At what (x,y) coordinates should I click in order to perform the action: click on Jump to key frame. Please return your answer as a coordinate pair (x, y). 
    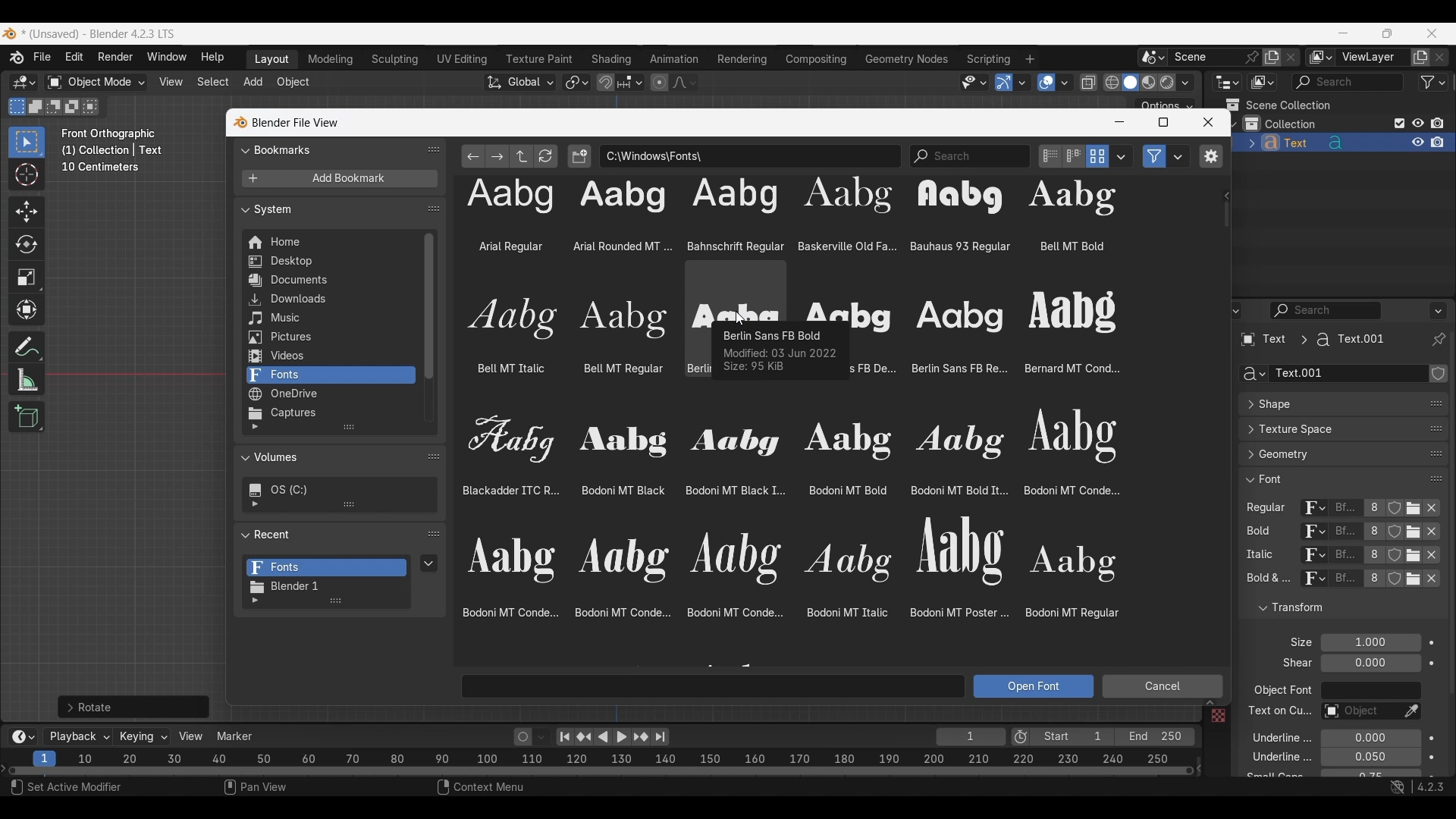
    Looking at the image, I should click on (584, 737).